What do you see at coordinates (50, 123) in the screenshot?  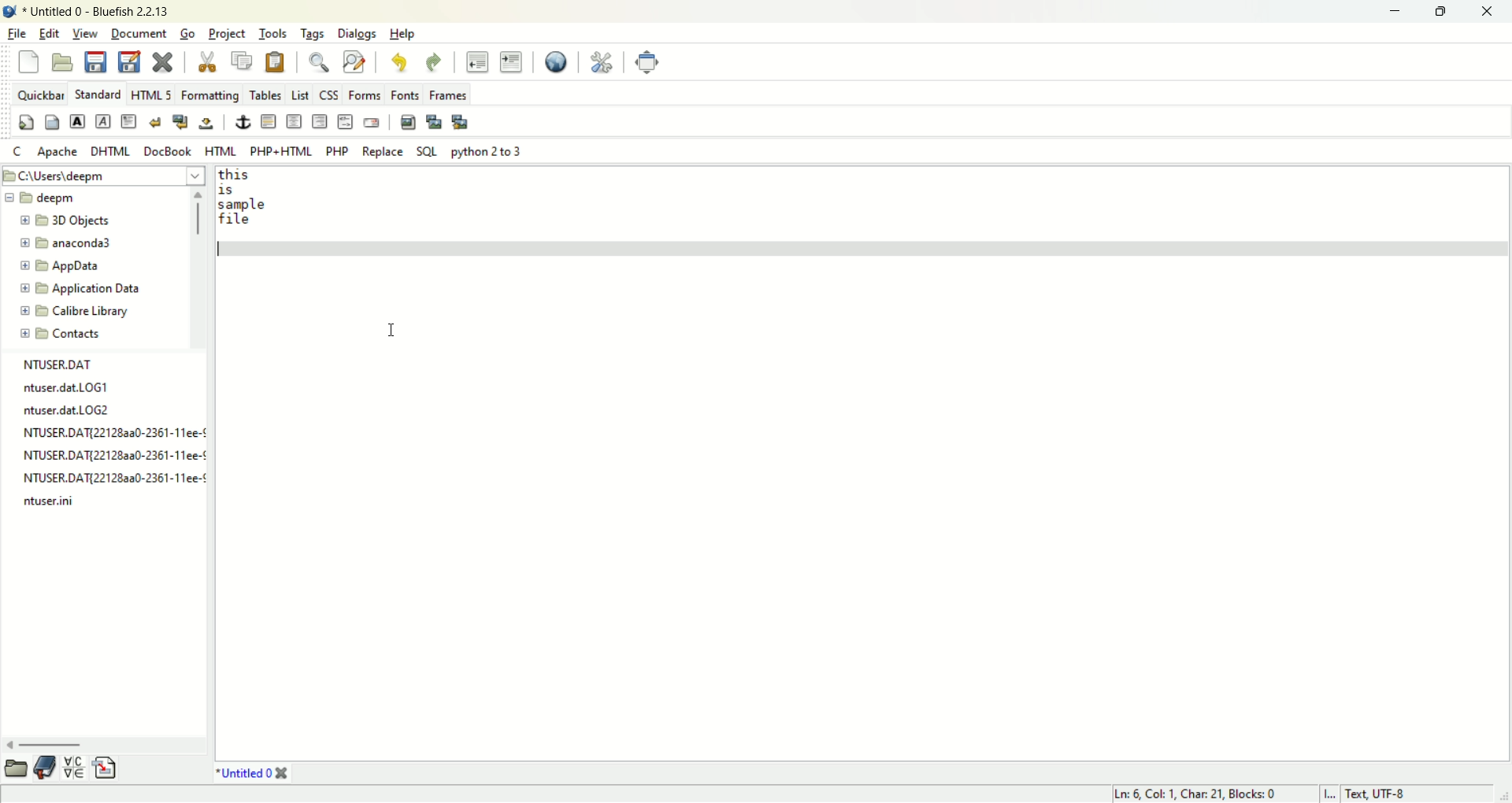 I see `body` at bounding box center [50, 123].